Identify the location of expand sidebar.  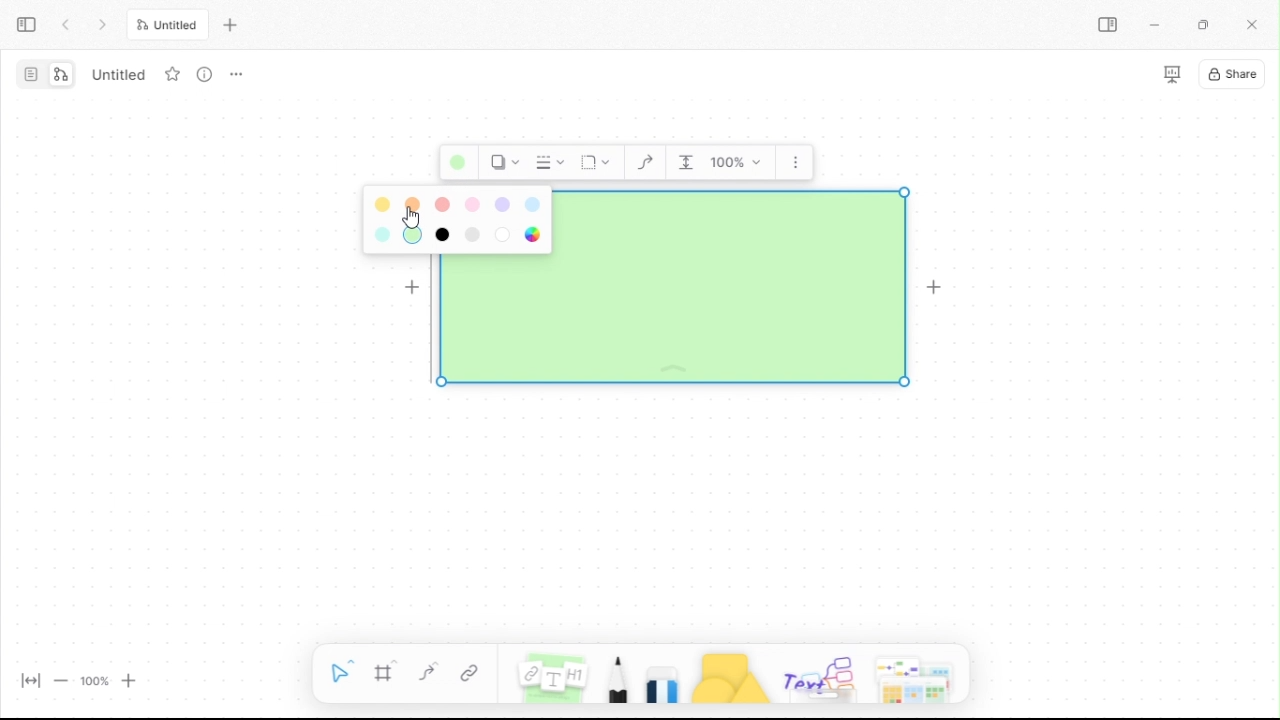
(26, 26).